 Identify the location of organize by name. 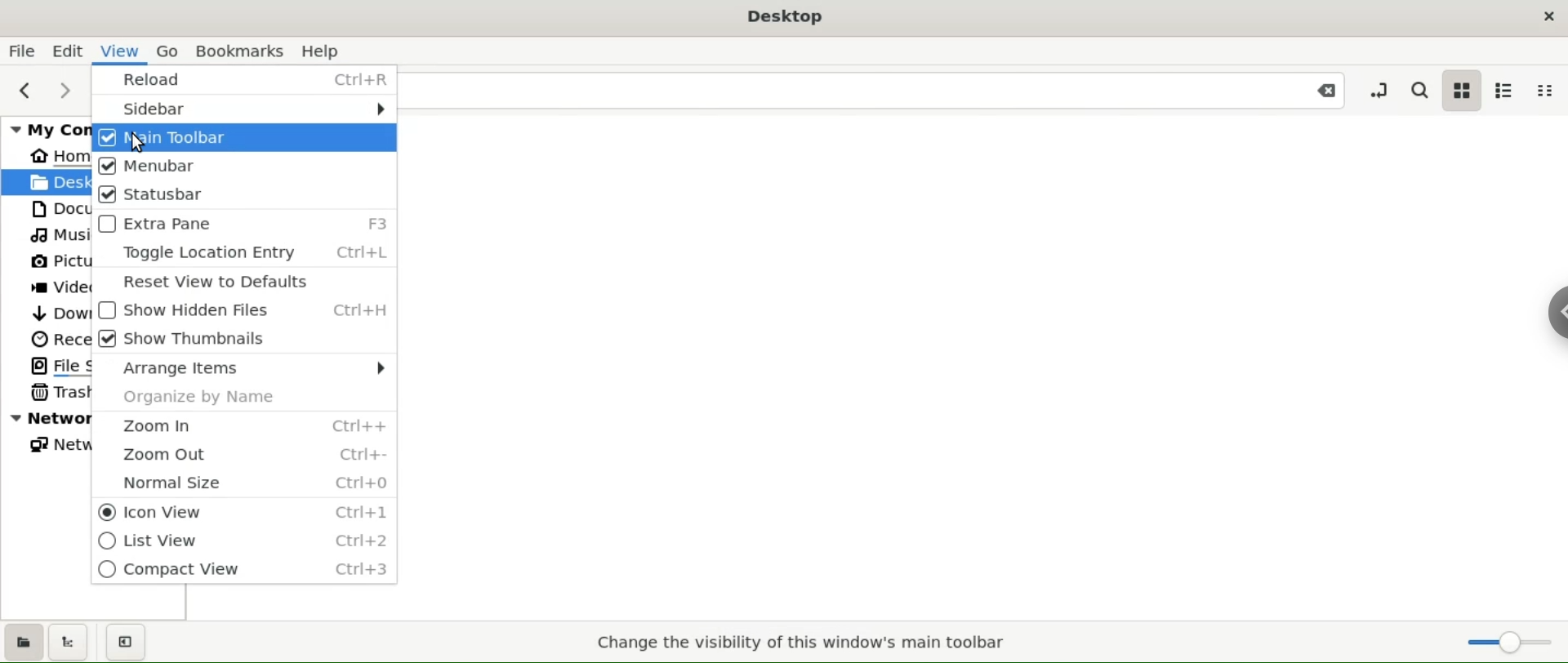
(243, 399).